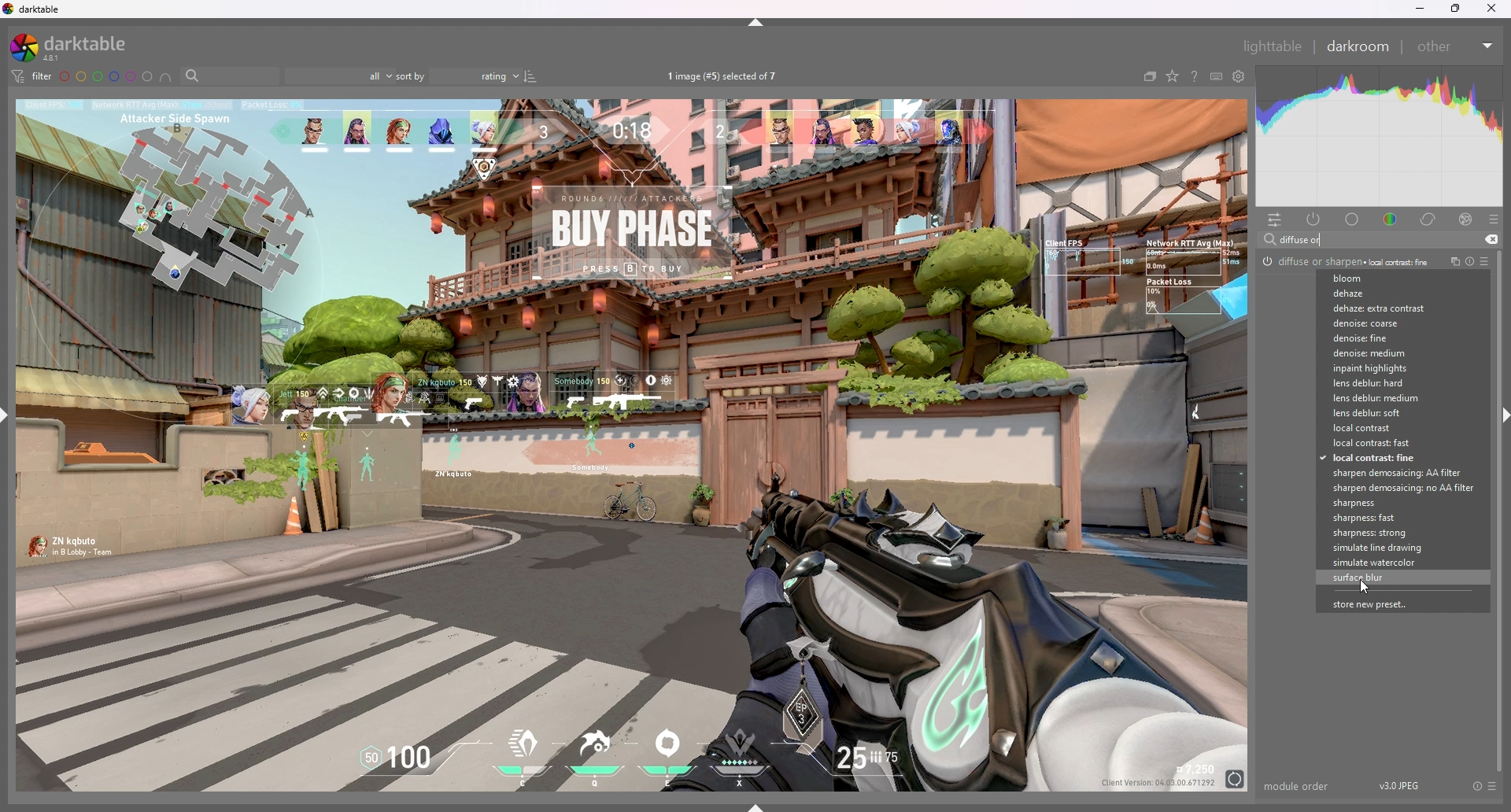 This screenshot has height=812, width=1511. What do you see at coordinates (459, 76) in the screenshot?
I see `sort by` at bounding box center [459, 76].